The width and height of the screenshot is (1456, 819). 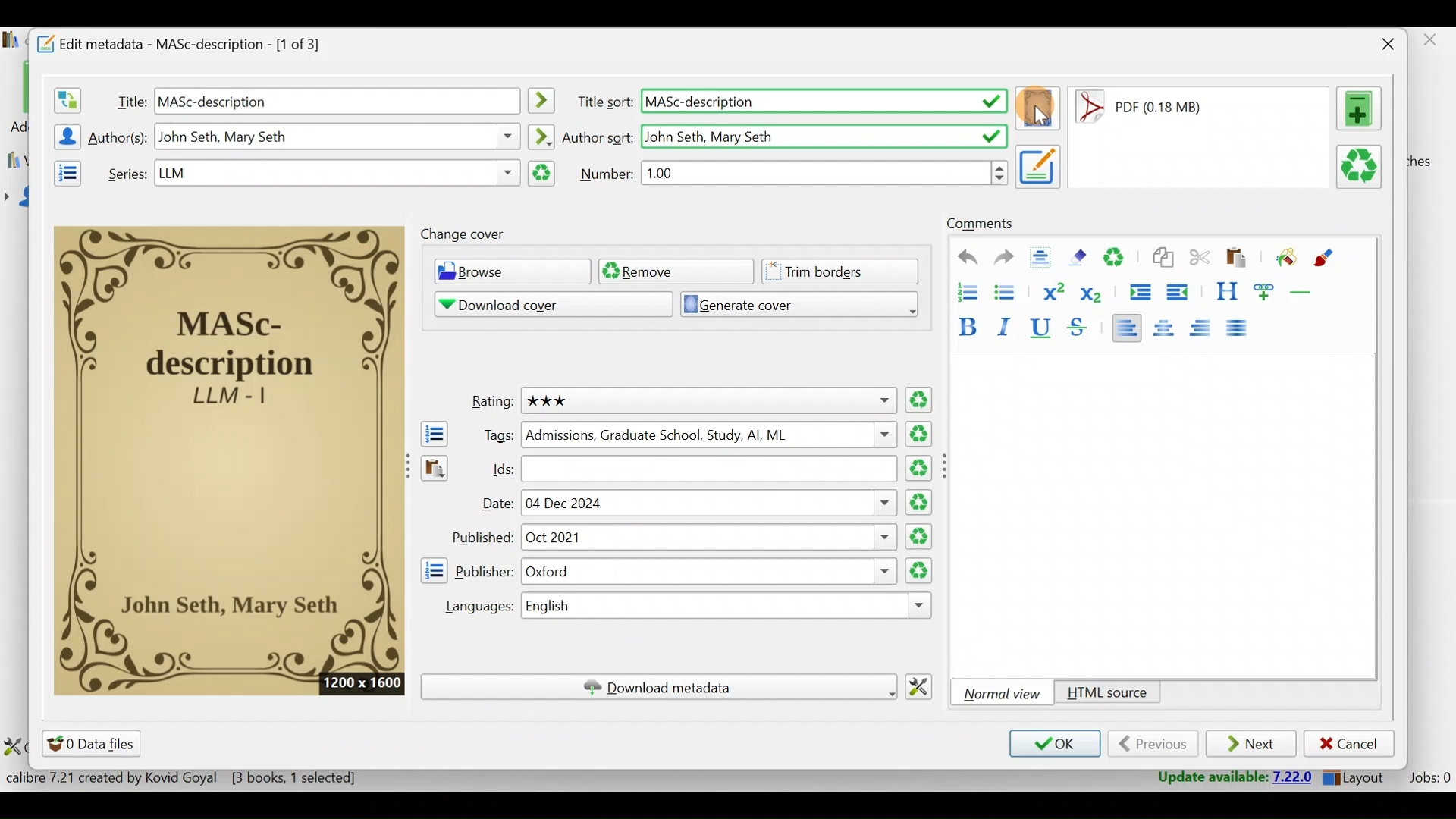 What do you see at coordinates (711, 503) in the screenshot?
I see `` at bounding box center [711, 503].